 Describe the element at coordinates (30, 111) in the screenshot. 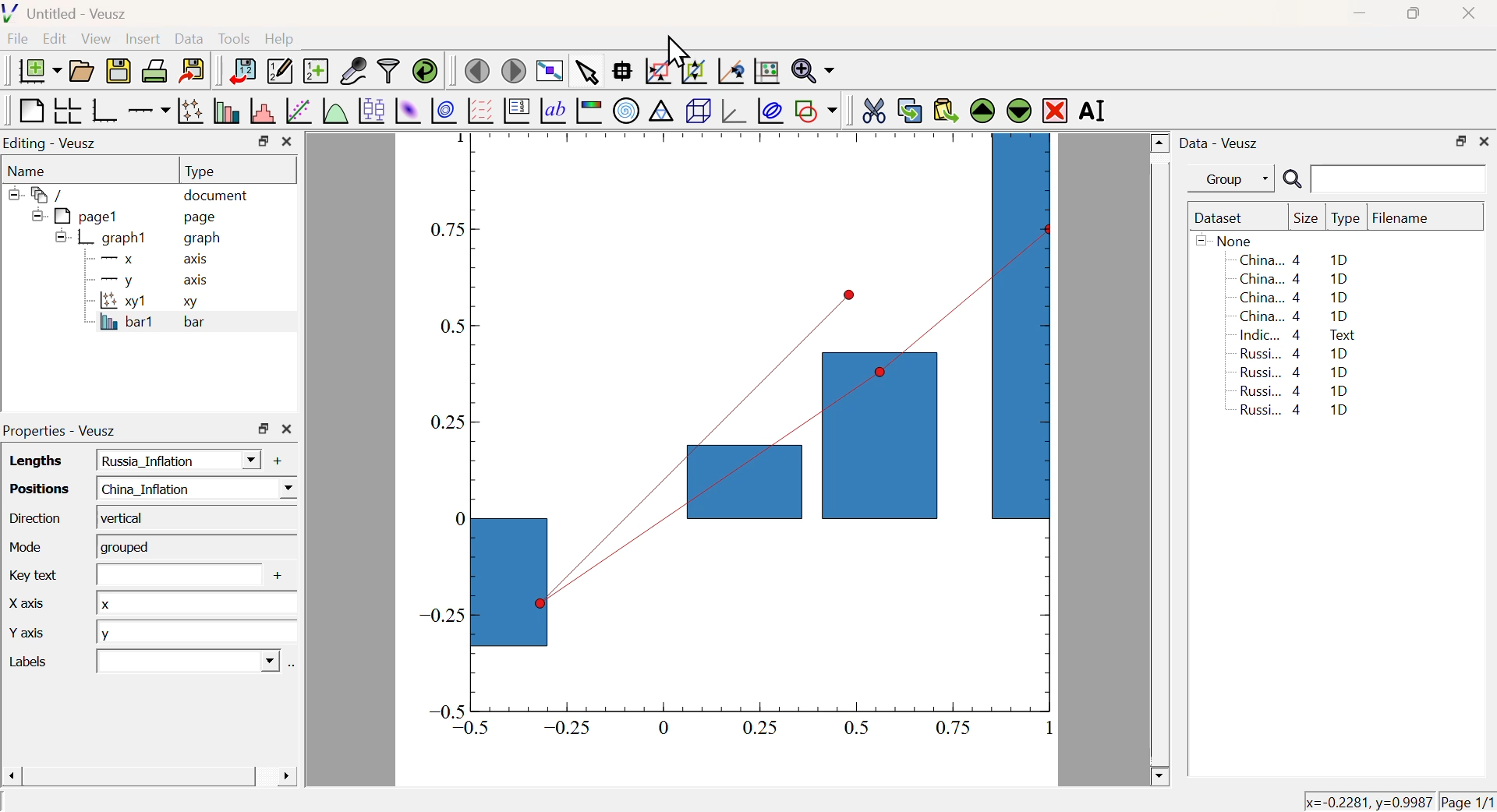

I see `Blank Page` at that location.